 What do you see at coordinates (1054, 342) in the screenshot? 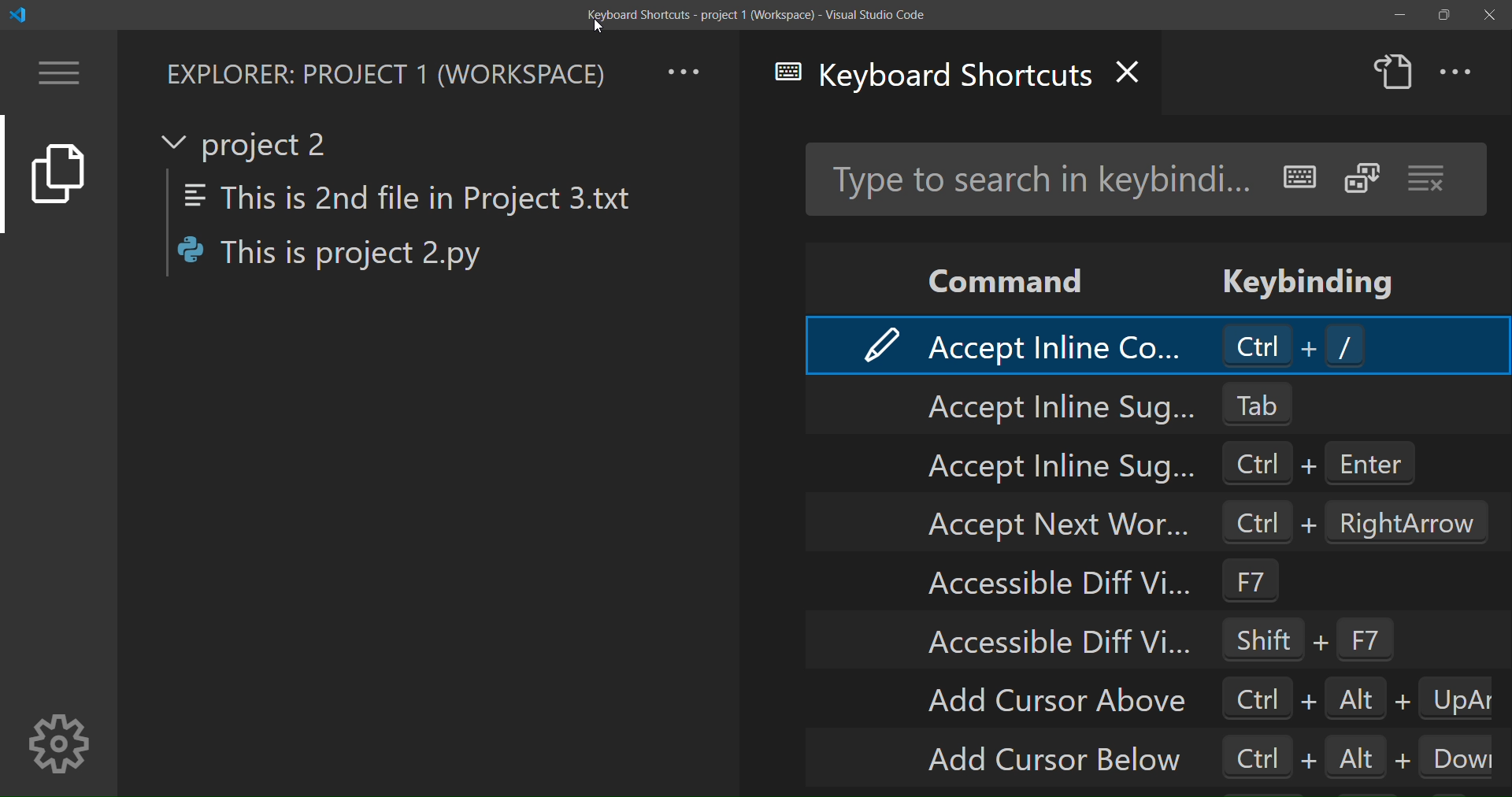
I see `accept inline co...` at bounding box center [1054, 342].